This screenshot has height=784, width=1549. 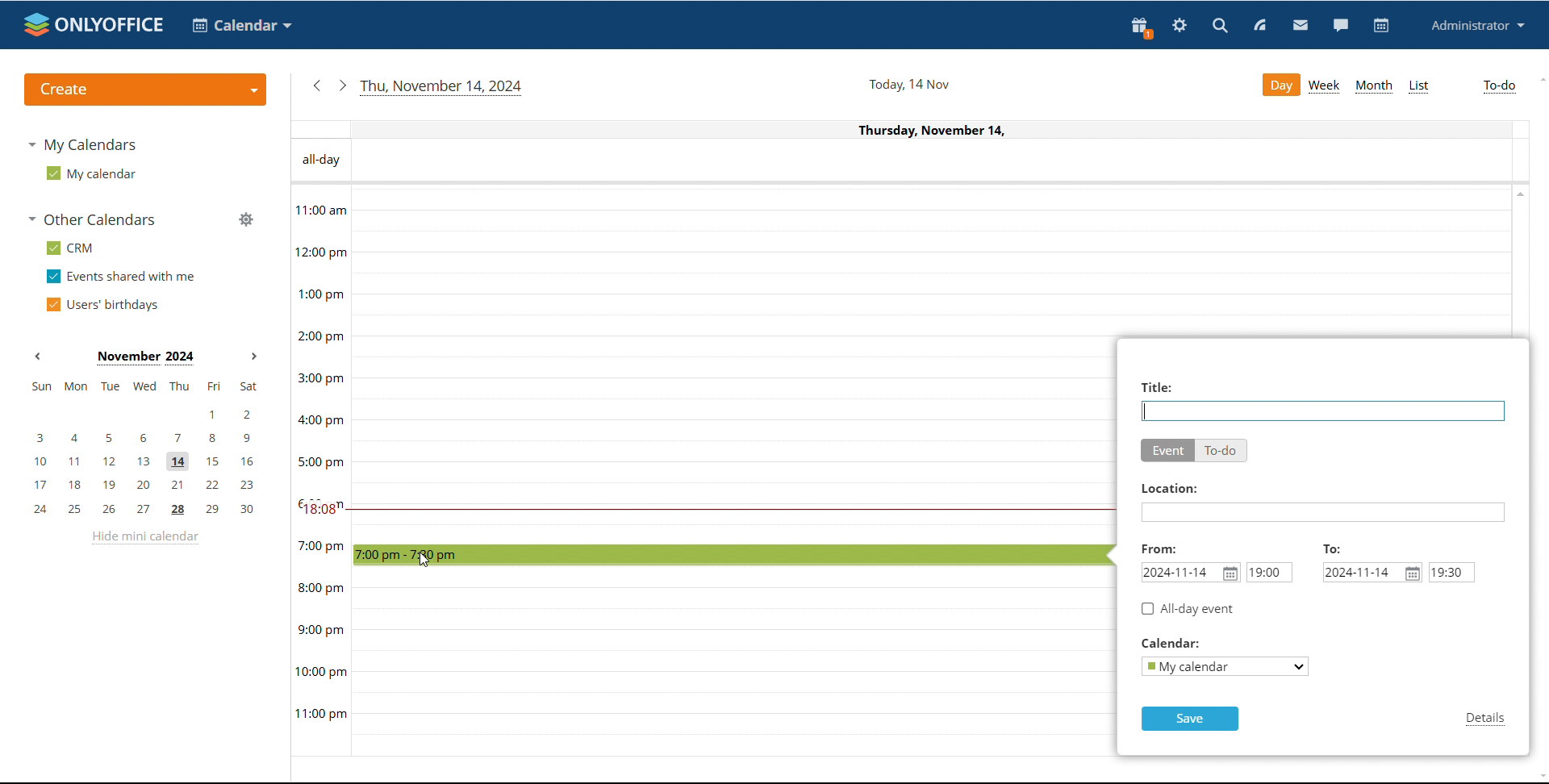 What do you see at coordinates (1539, 778) in the screenshot?
I see `scroll down` at bounding box center [1539, 778].